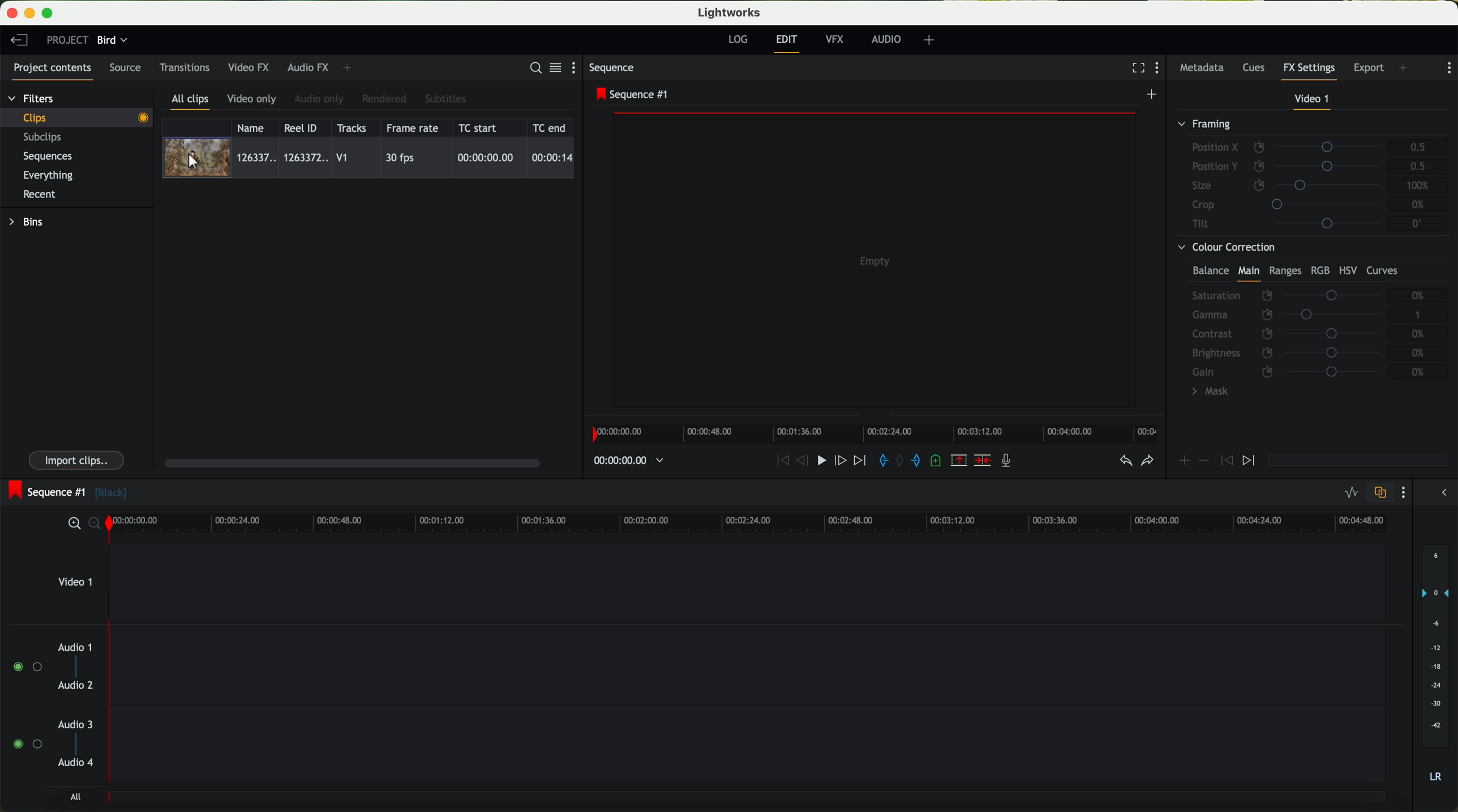 This screenshot has height=812, width=1458. I want to click on 0%, so click(1418, 372).